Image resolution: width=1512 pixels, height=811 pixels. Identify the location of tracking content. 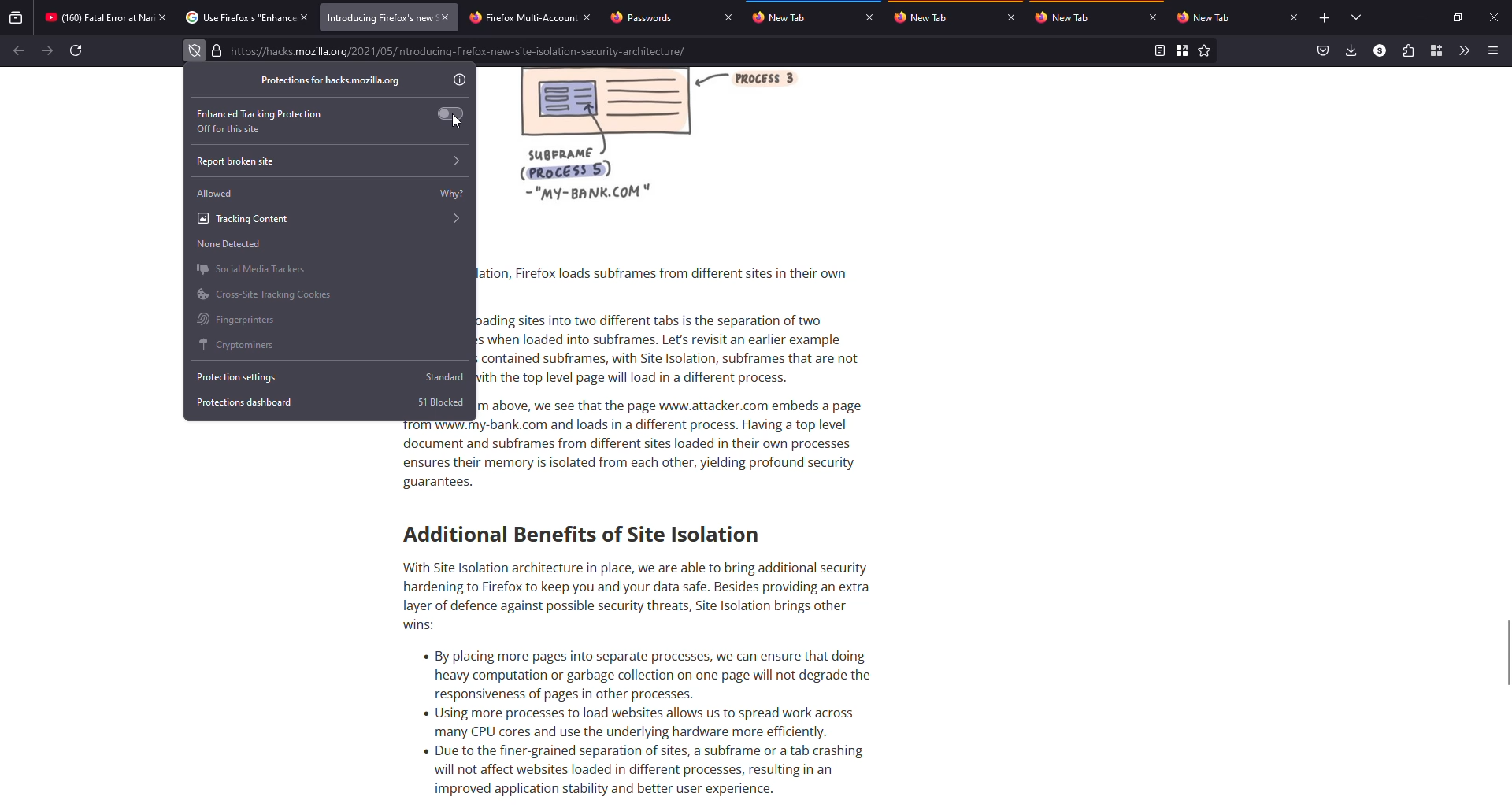
(330, 218).